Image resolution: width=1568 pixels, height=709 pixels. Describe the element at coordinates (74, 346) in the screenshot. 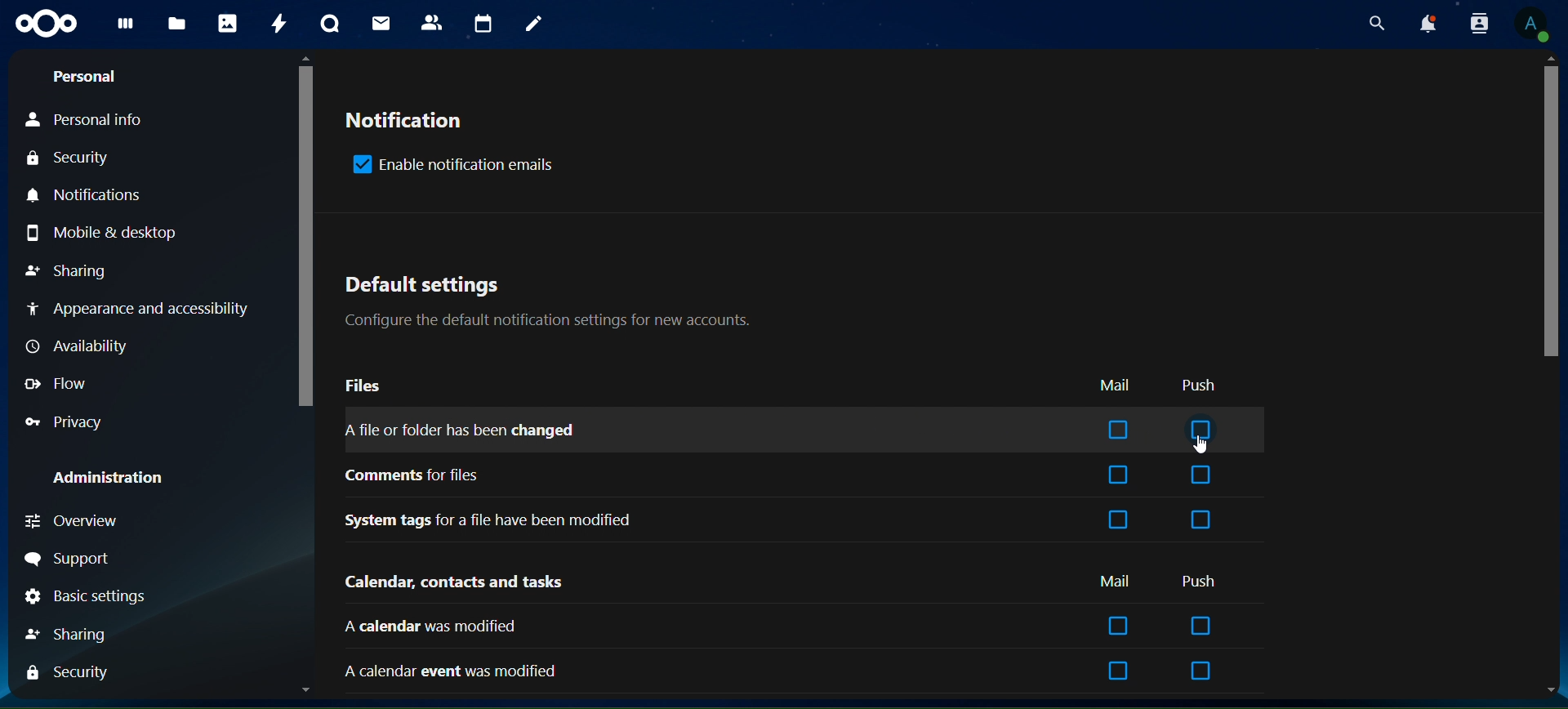

I see `availability` at that location.